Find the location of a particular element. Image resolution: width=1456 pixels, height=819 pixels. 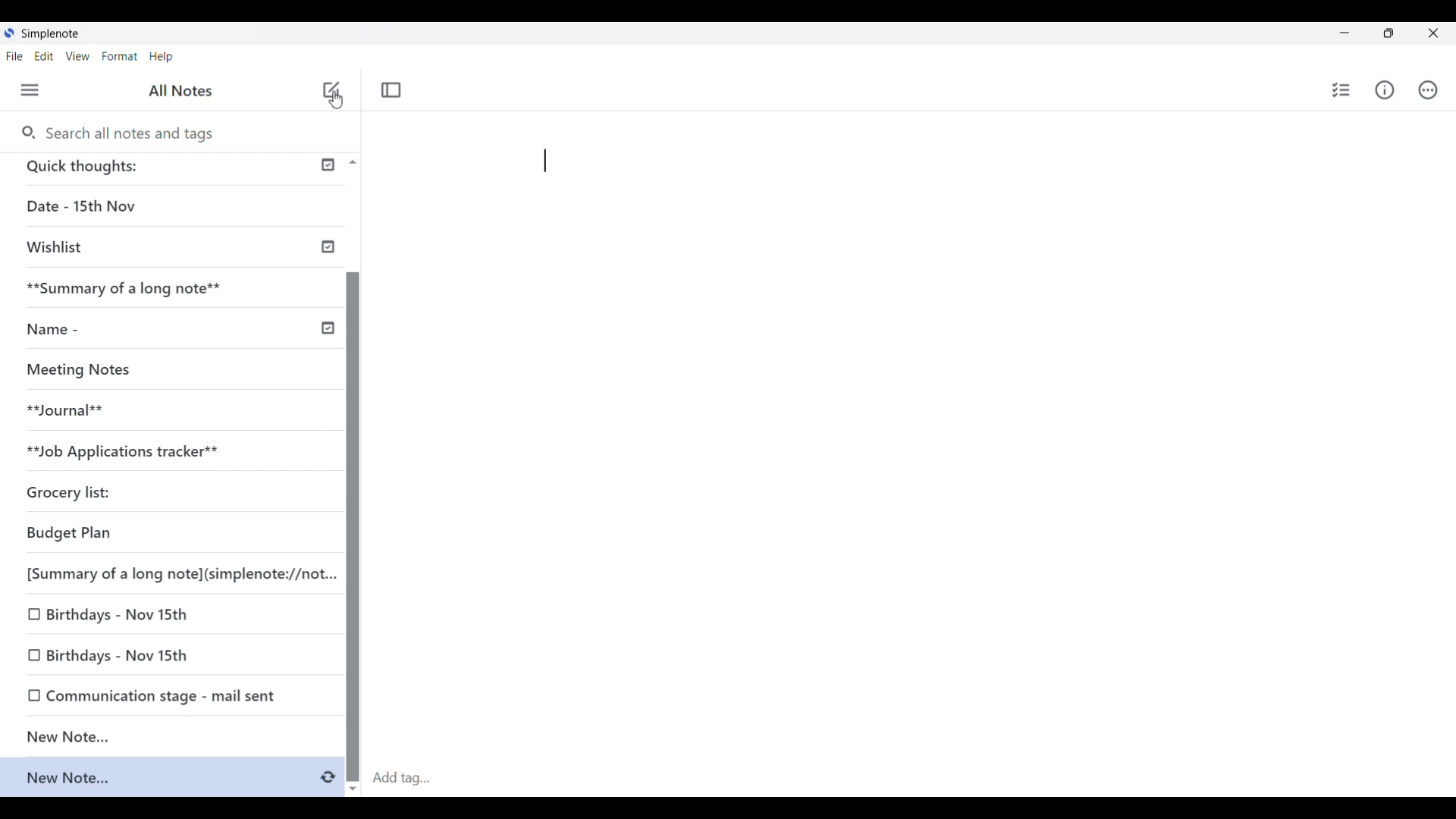

Wishlist is located at coordinates (129, 249).